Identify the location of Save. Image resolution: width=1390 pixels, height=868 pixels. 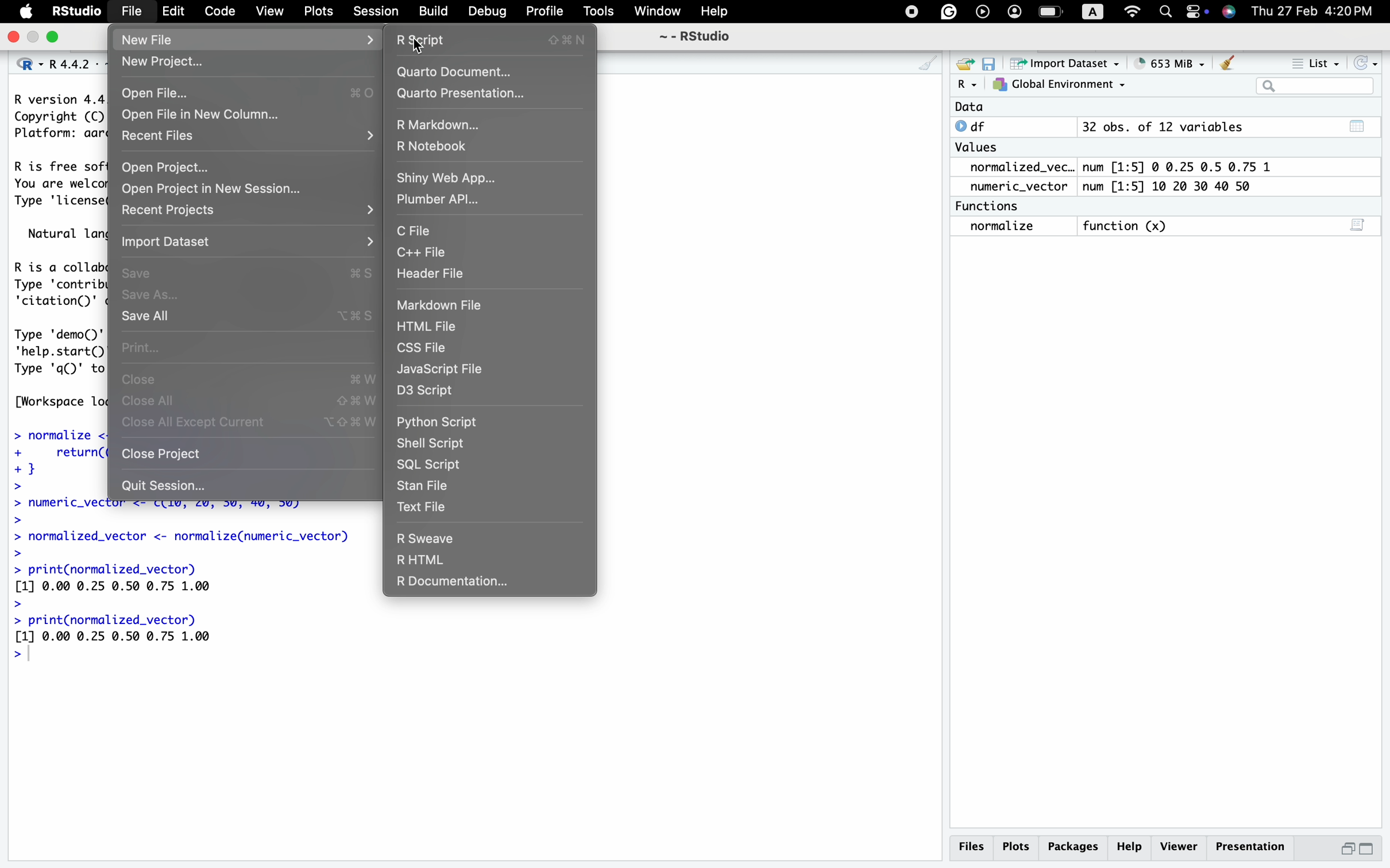
(990, 63).